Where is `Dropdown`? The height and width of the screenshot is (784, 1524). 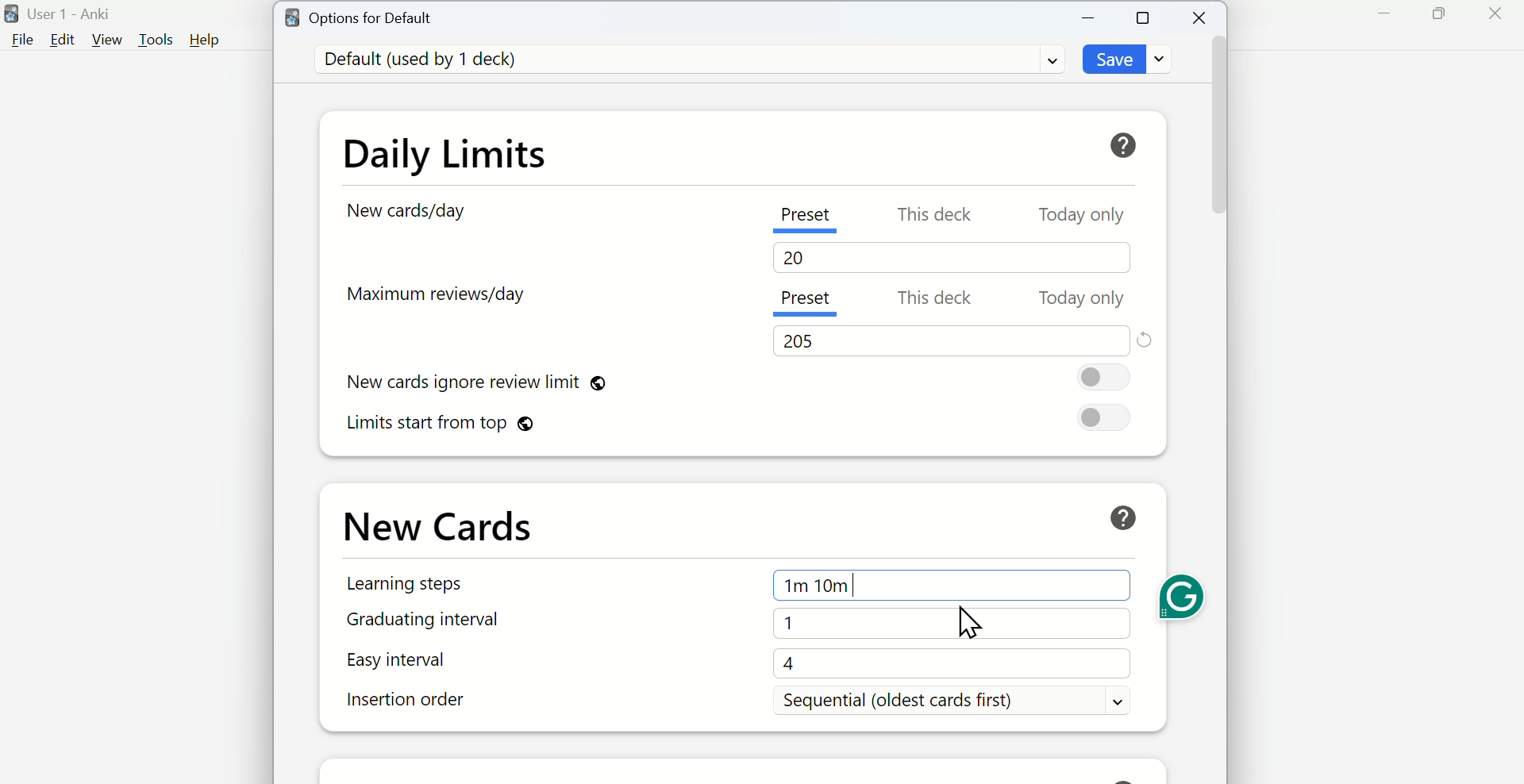
Dropdown is located at coordinates (1043, 62).